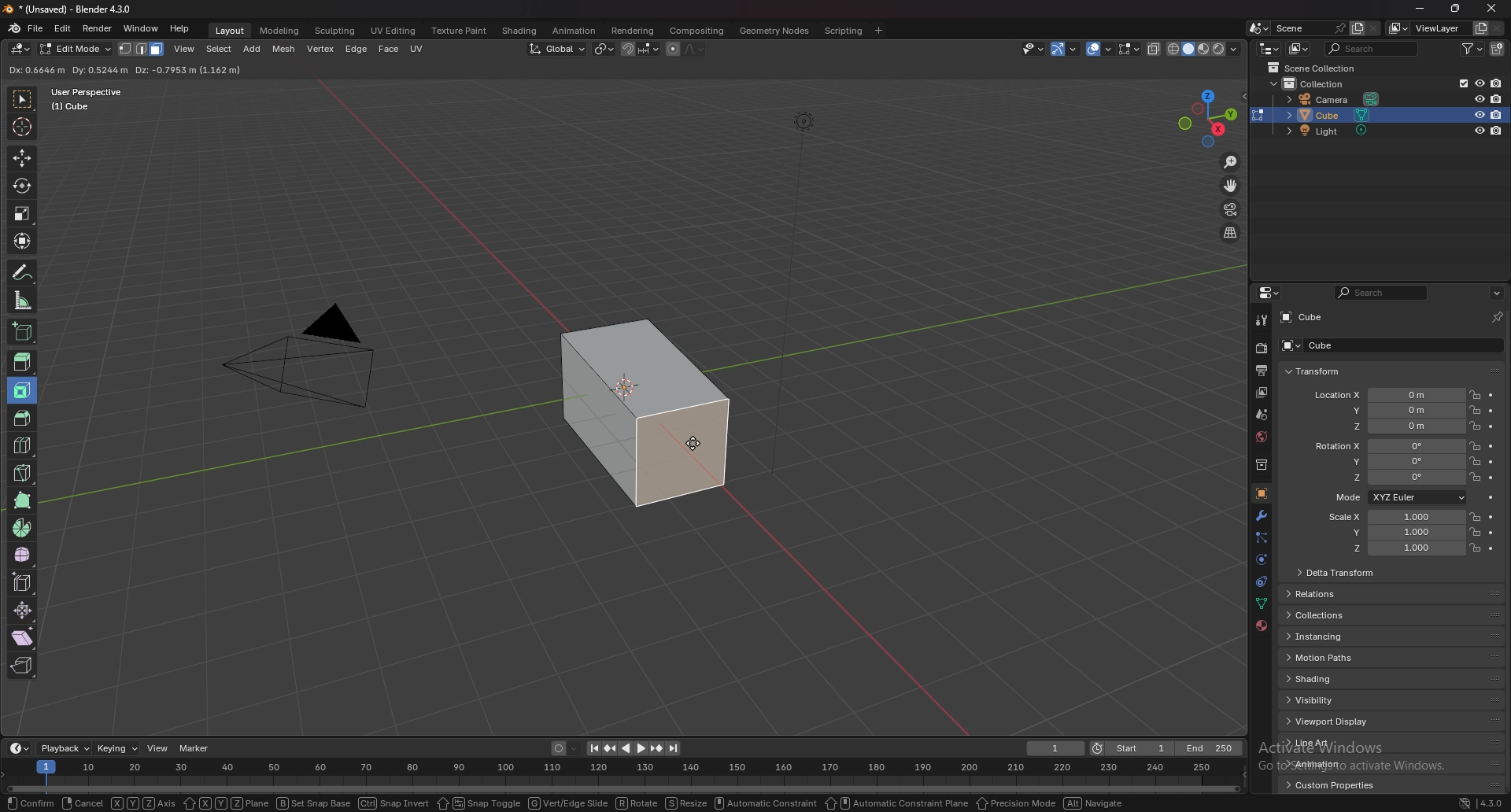 The height and width of the screenshot is (812, 1511). What do you see at coordinates (634, 749) in the screenshot?
I see `play animation` at bounding box center [634, 749].